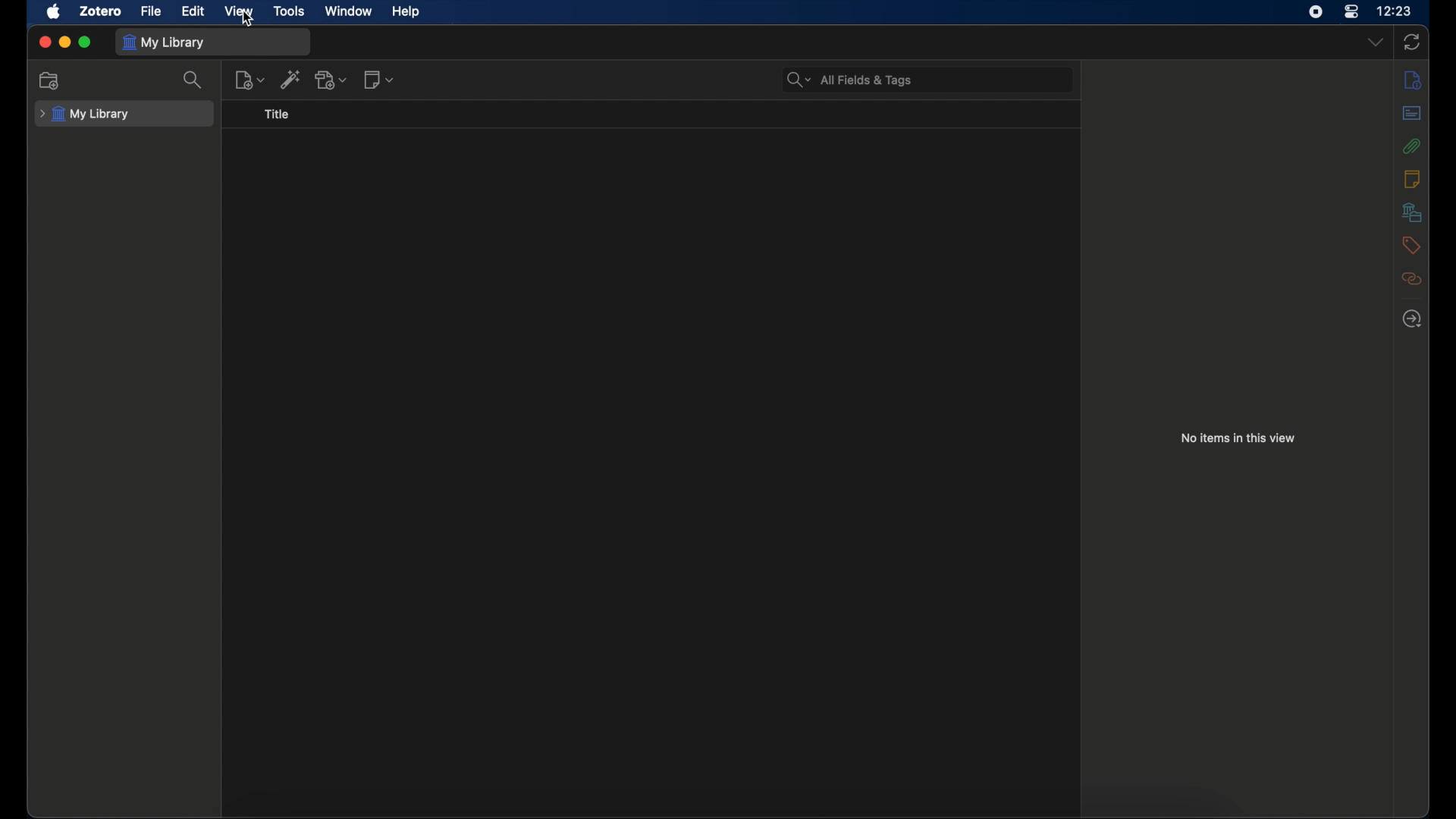 The height and width of the screenshot is (819, 1456). I want to click on maximize, so click(86, 42).